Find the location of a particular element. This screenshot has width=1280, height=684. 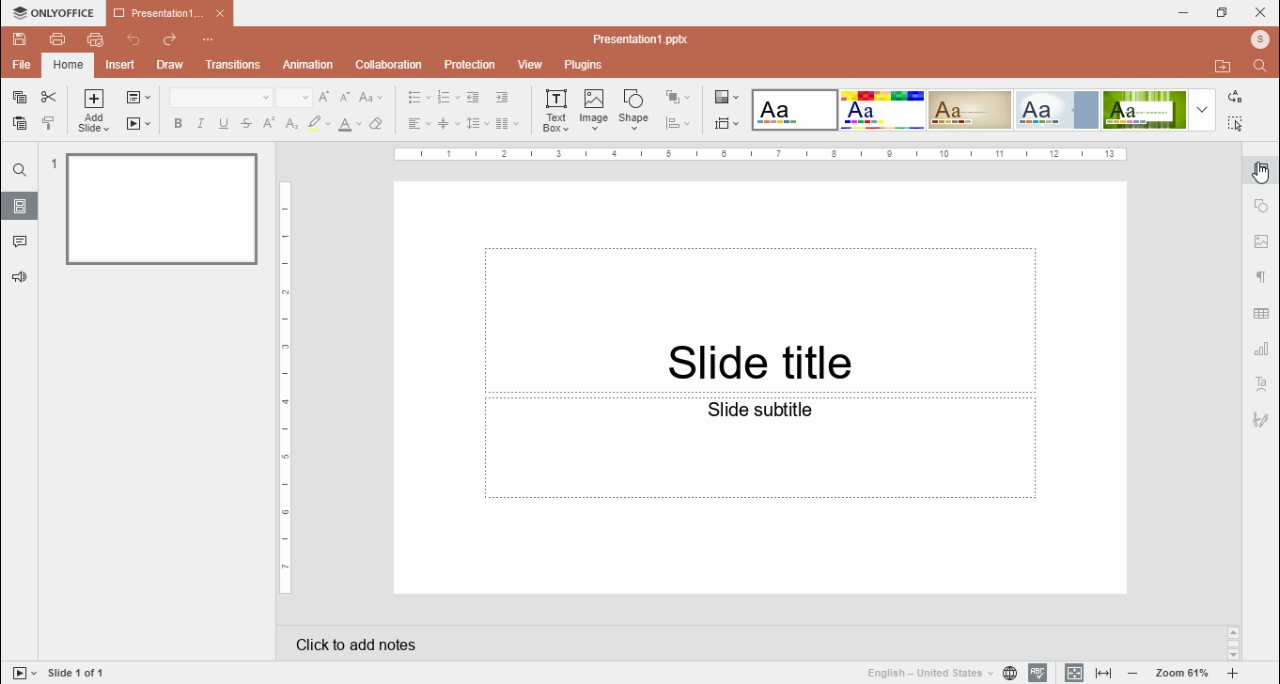

image settings is located at coordinates (1265, 240).